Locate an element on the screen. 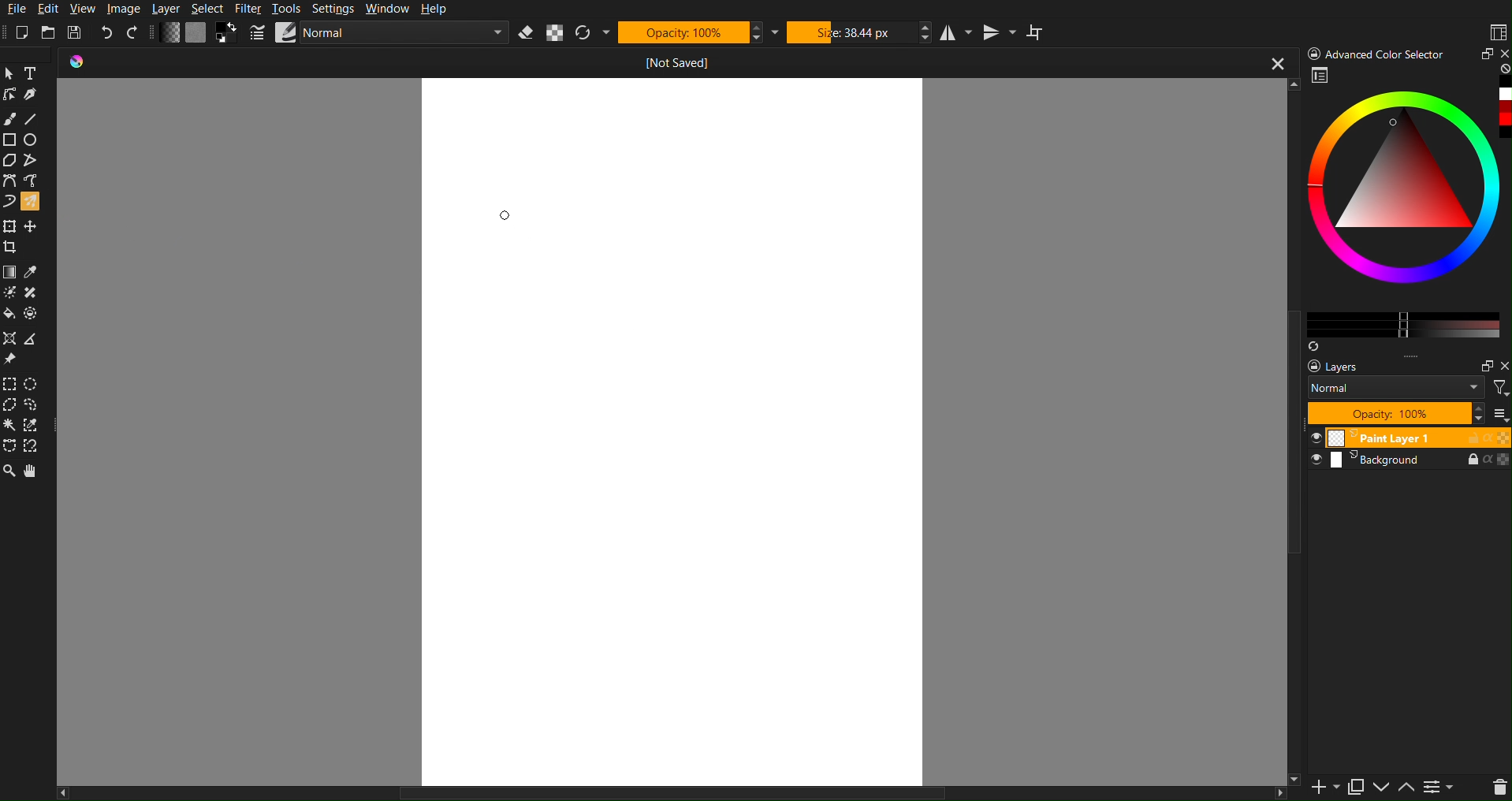 This screenshot has width=1512, height=801. more is located at coordinates (1502, 415).